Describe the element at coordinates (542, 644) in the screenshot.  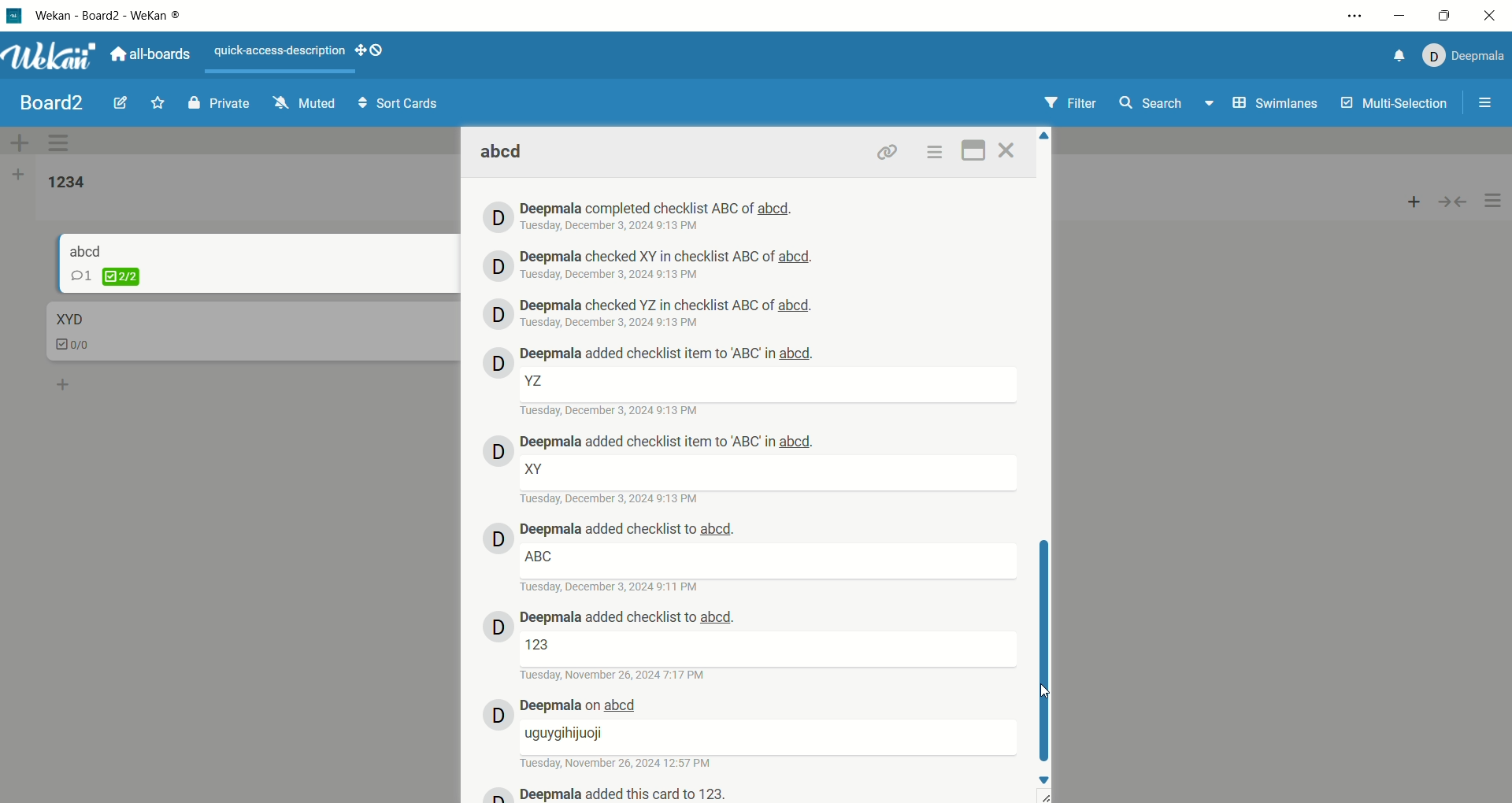
I see `text` at that location.